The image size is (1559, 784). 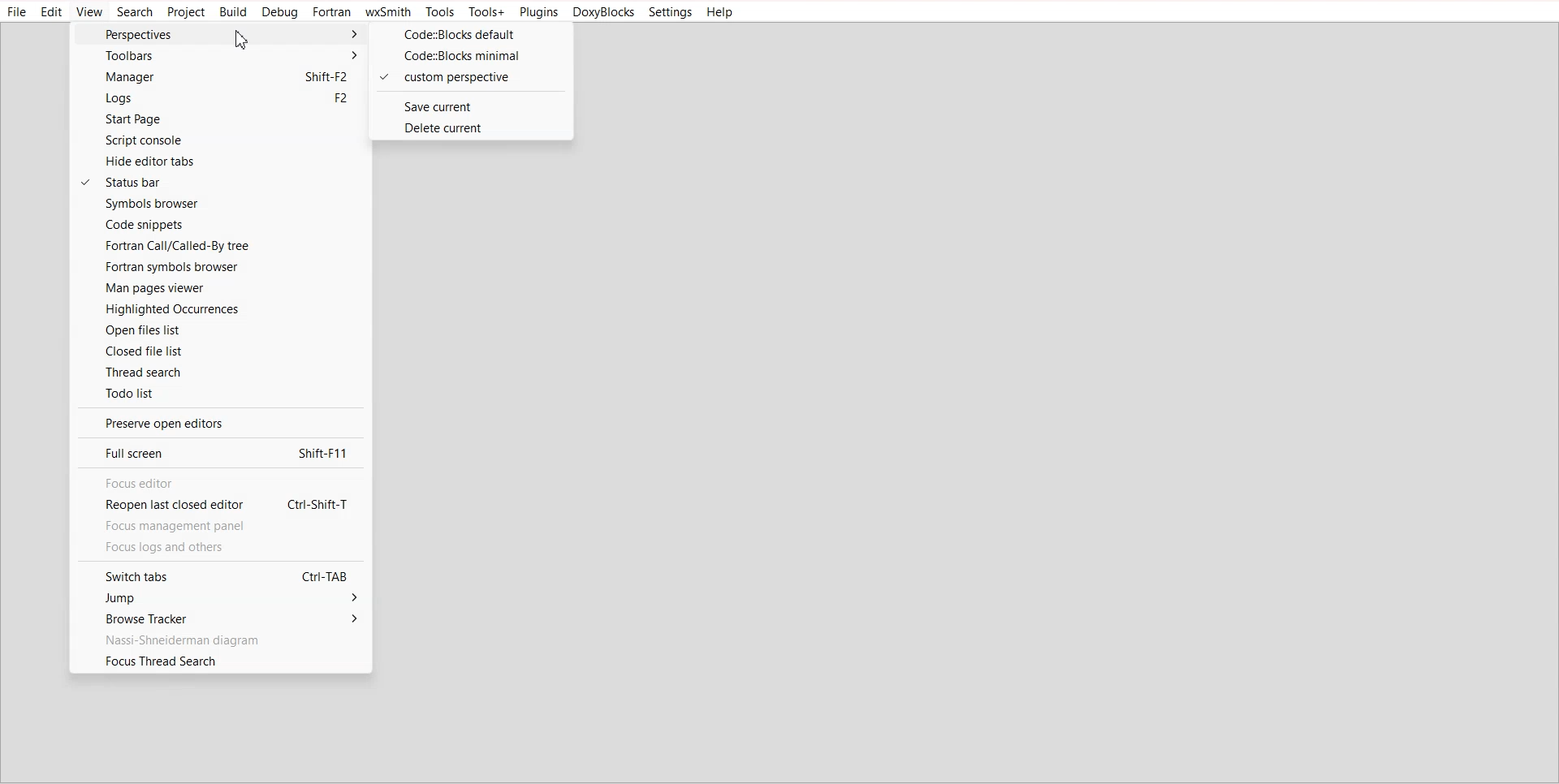 I want to click on Toolbars, so click(x=218, y=55).